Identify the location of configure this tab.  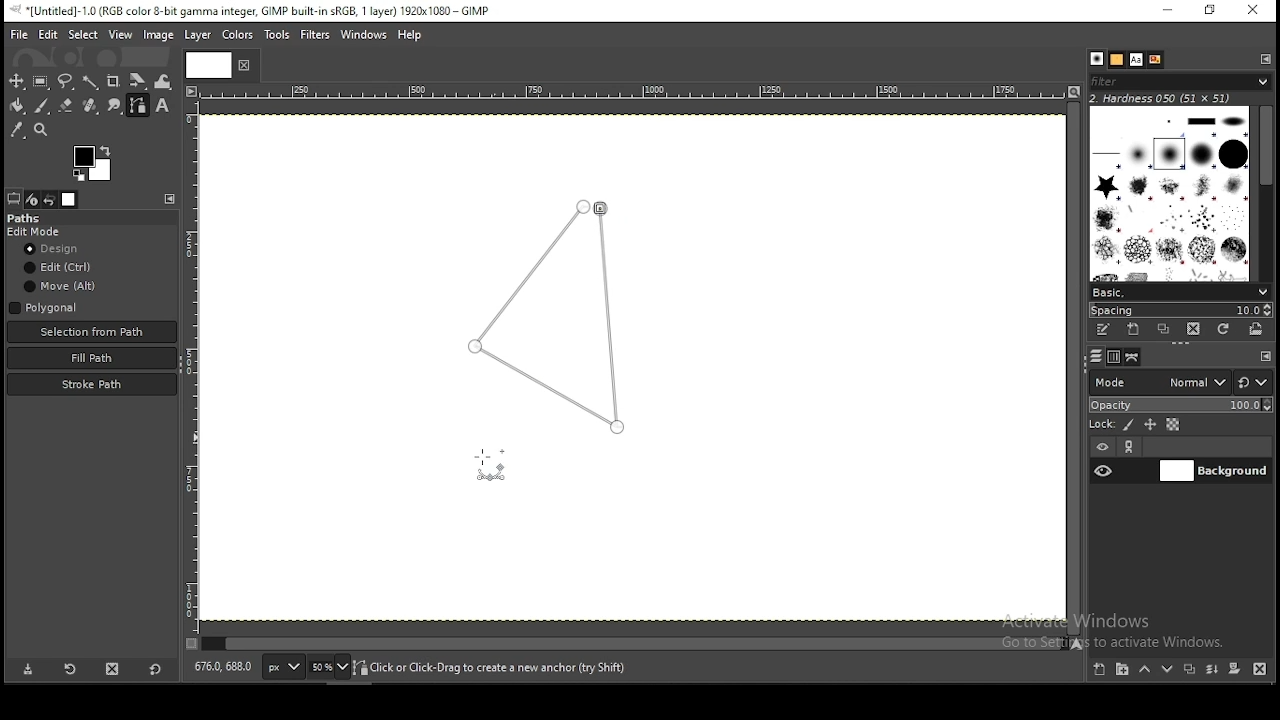
(172, 199).